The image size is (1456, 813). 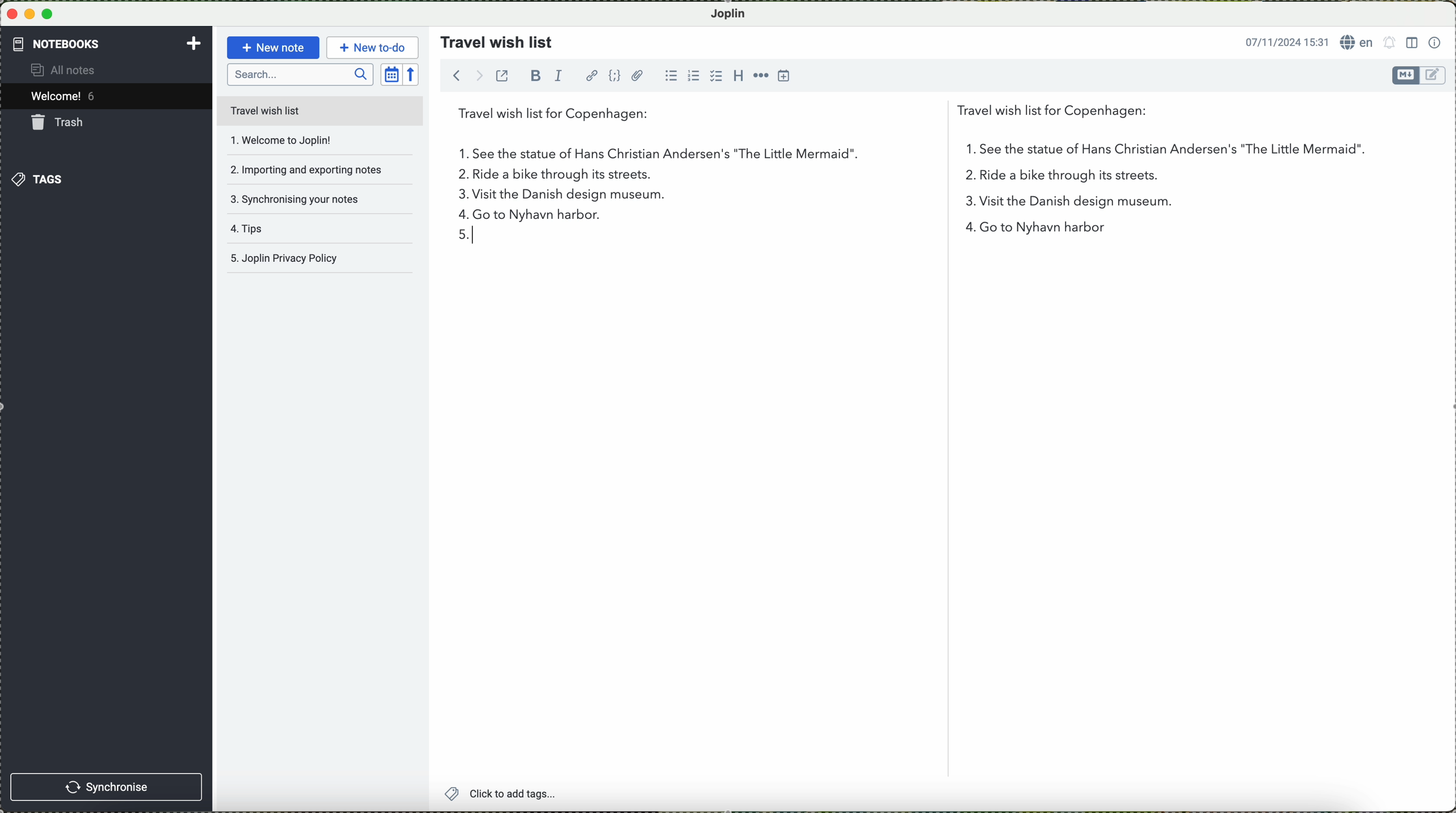 I want to click on 5 in the list, so click(x=454, y=232).